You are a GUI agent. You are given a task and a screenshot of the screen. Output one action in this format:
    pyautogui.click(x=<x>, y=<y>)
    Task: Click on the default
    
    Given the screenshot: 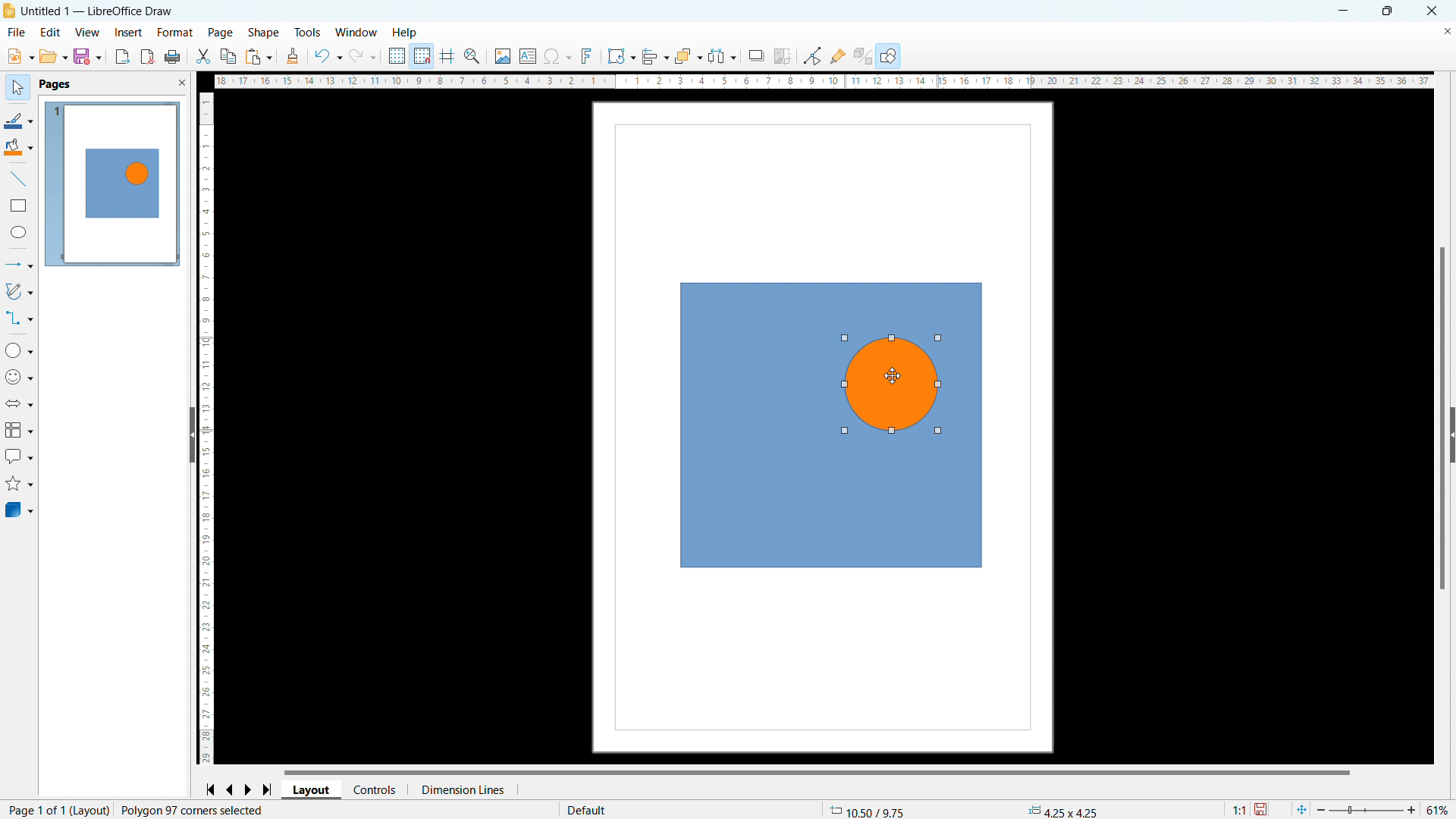 What is the action you would take?
    pyautogui.click(x=588, y=808)
    